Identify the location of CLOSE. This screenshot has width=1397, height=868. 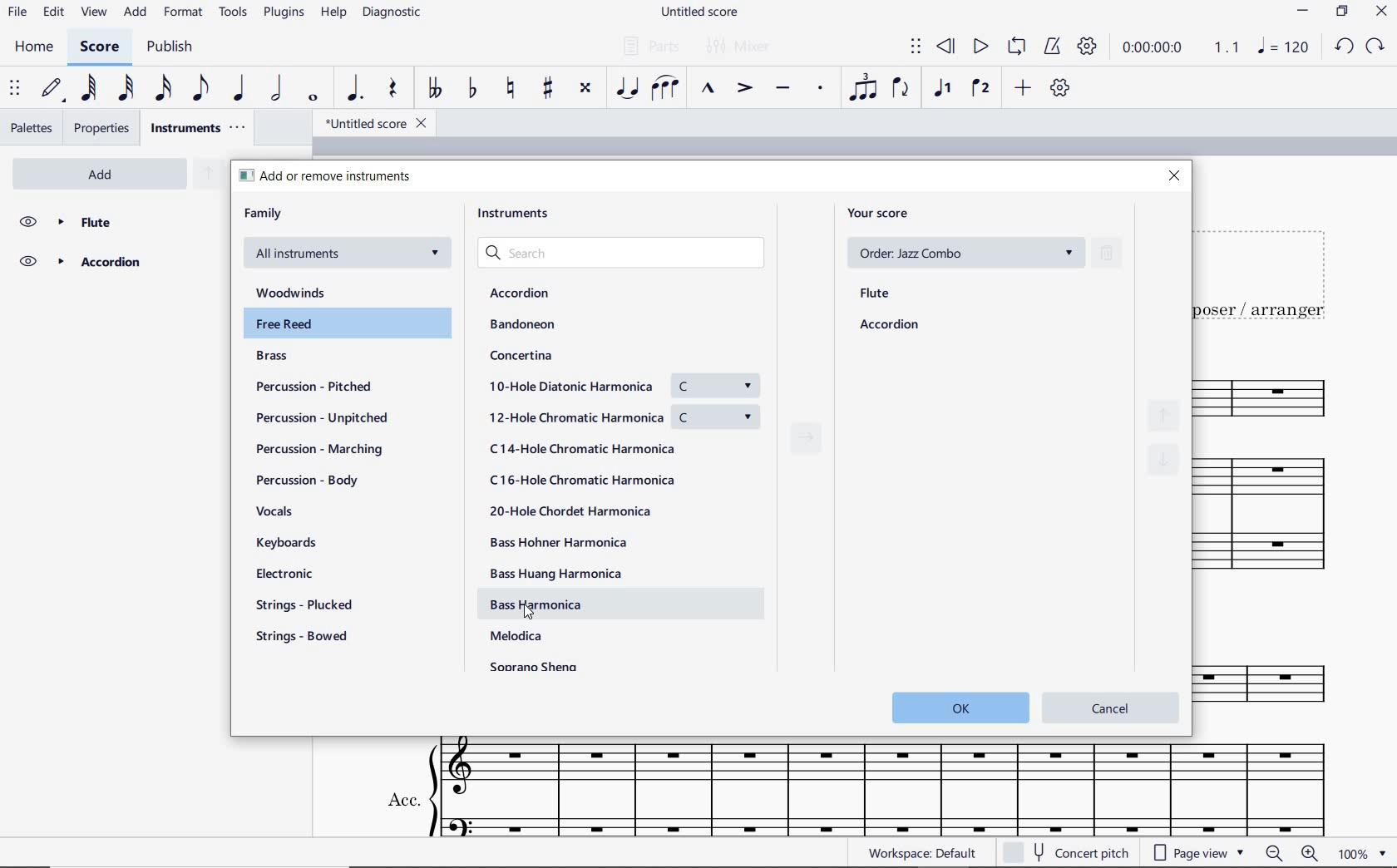
(1380, 11).